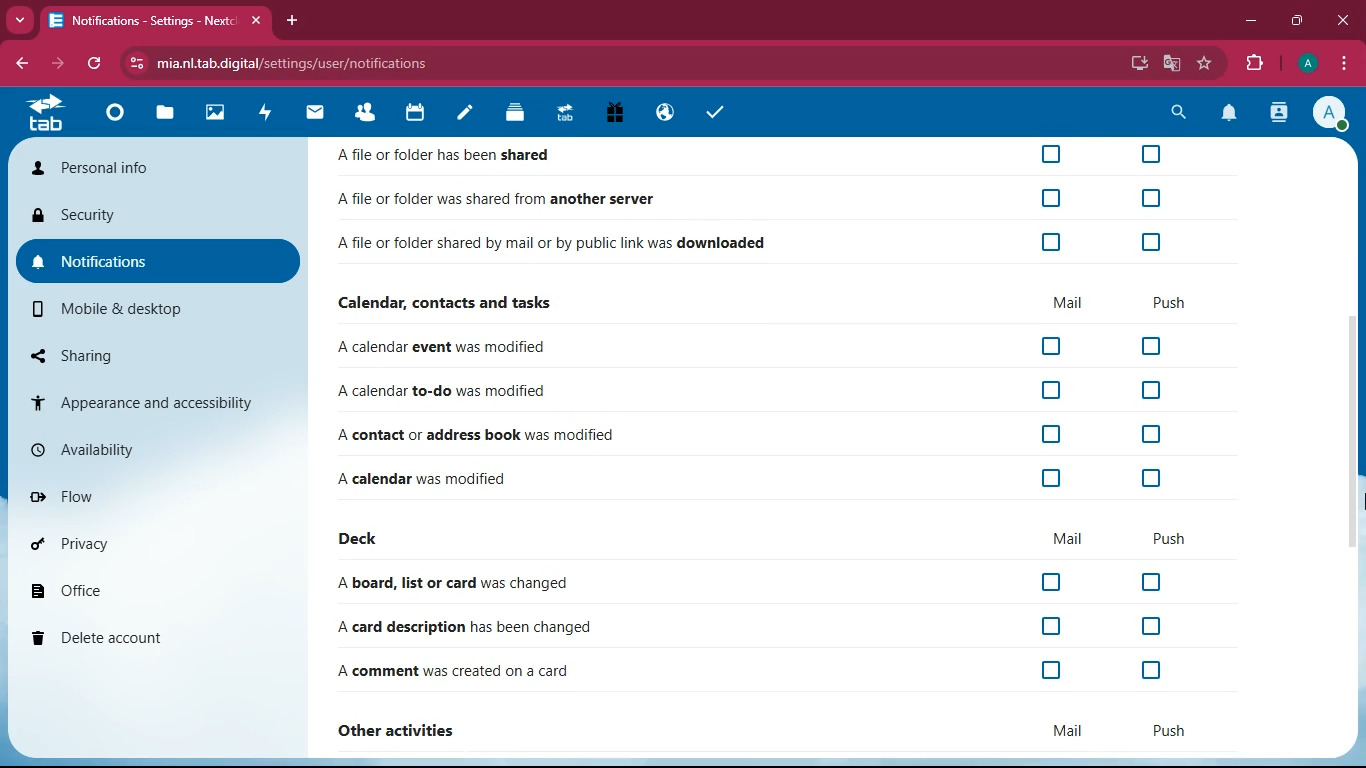 The width and height of the screenshot is (1366, 768). I want to click on Notifications- Settings - Next:, so click(140, 21).